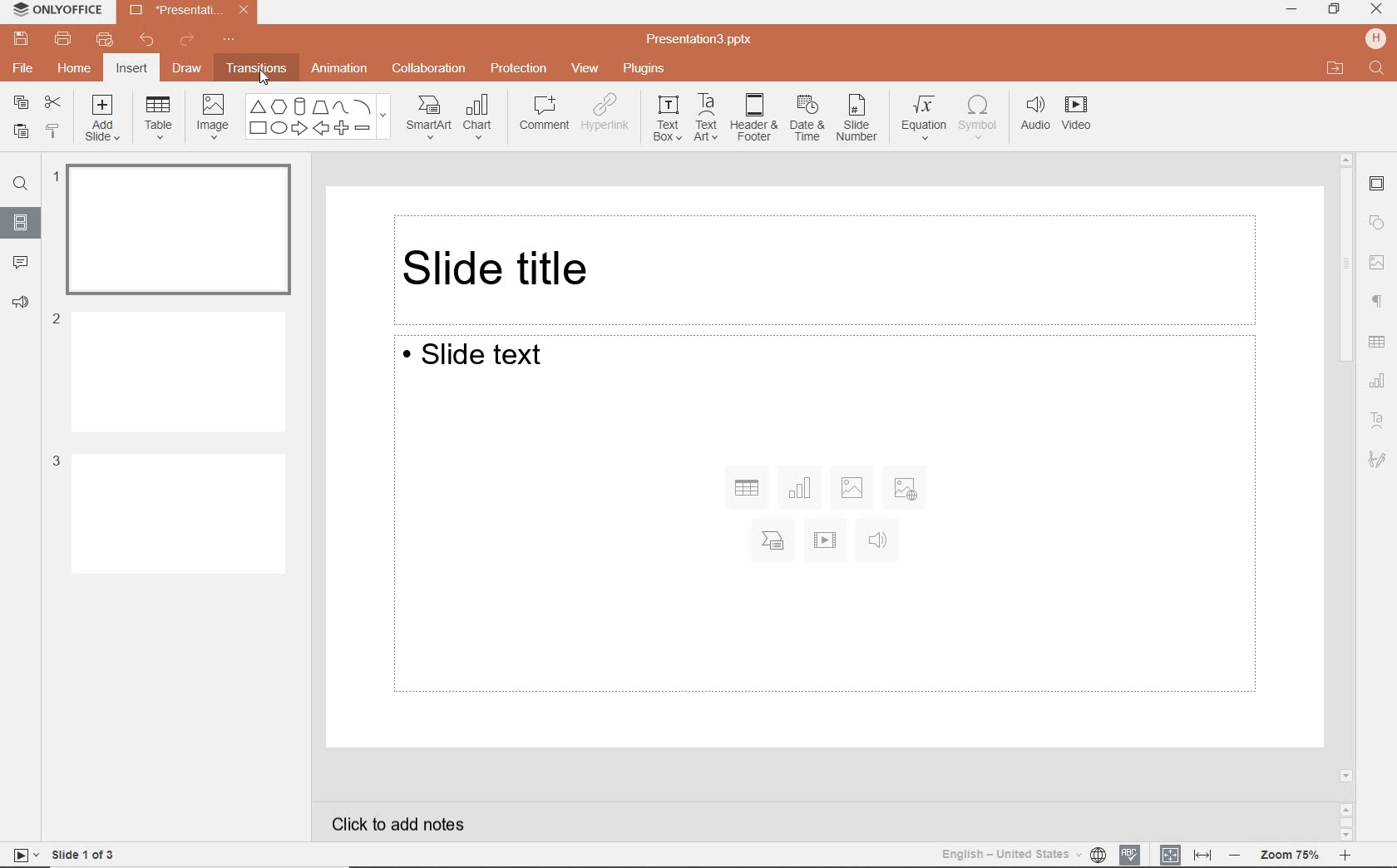 This screenshot has width=1397, height=868. I want to click on SQUARE, so click(258, 128).